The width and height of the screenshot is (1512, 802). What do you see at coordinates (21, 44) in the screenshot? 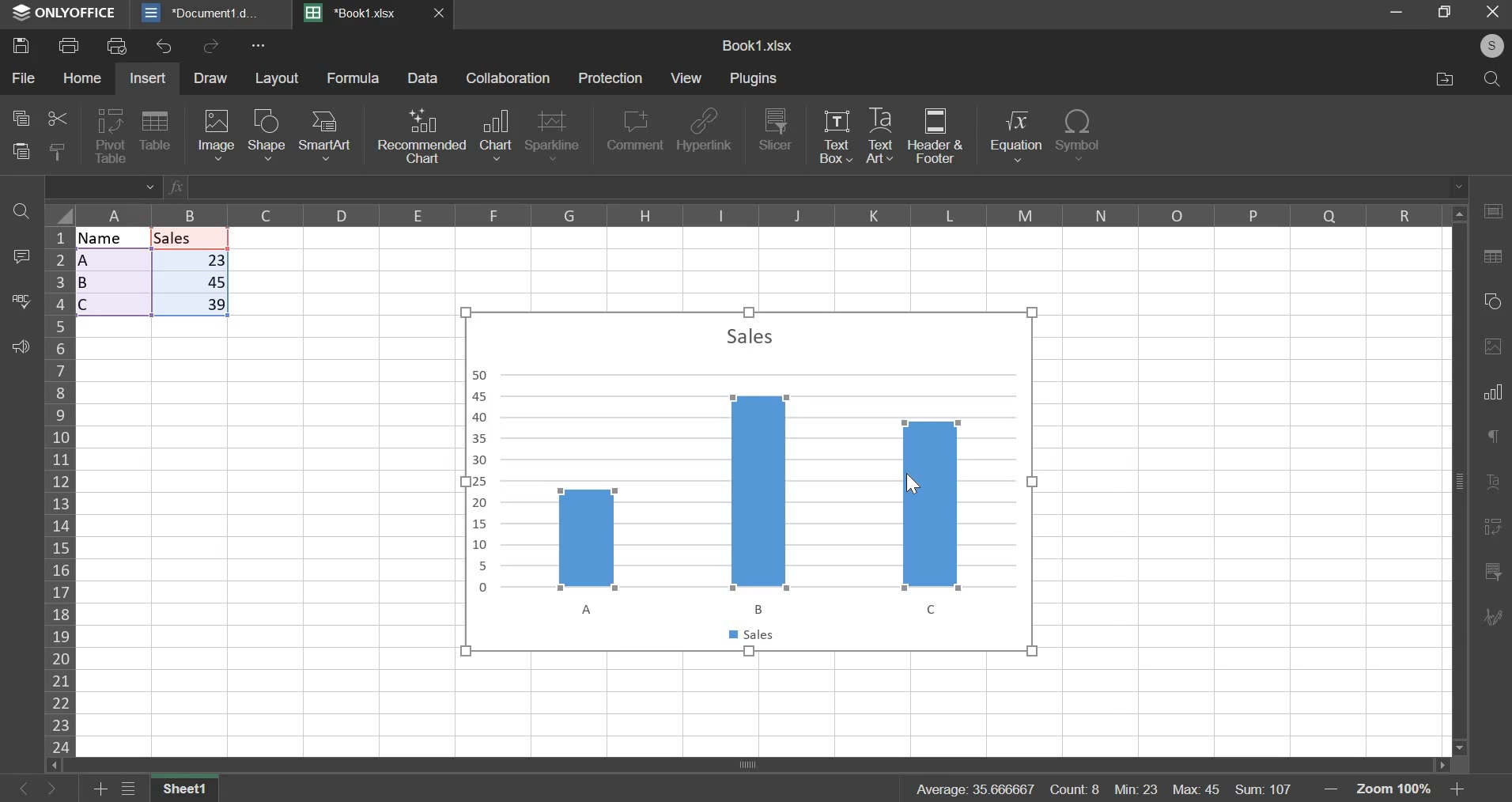
I see `save` at bounding box center [21, 44].